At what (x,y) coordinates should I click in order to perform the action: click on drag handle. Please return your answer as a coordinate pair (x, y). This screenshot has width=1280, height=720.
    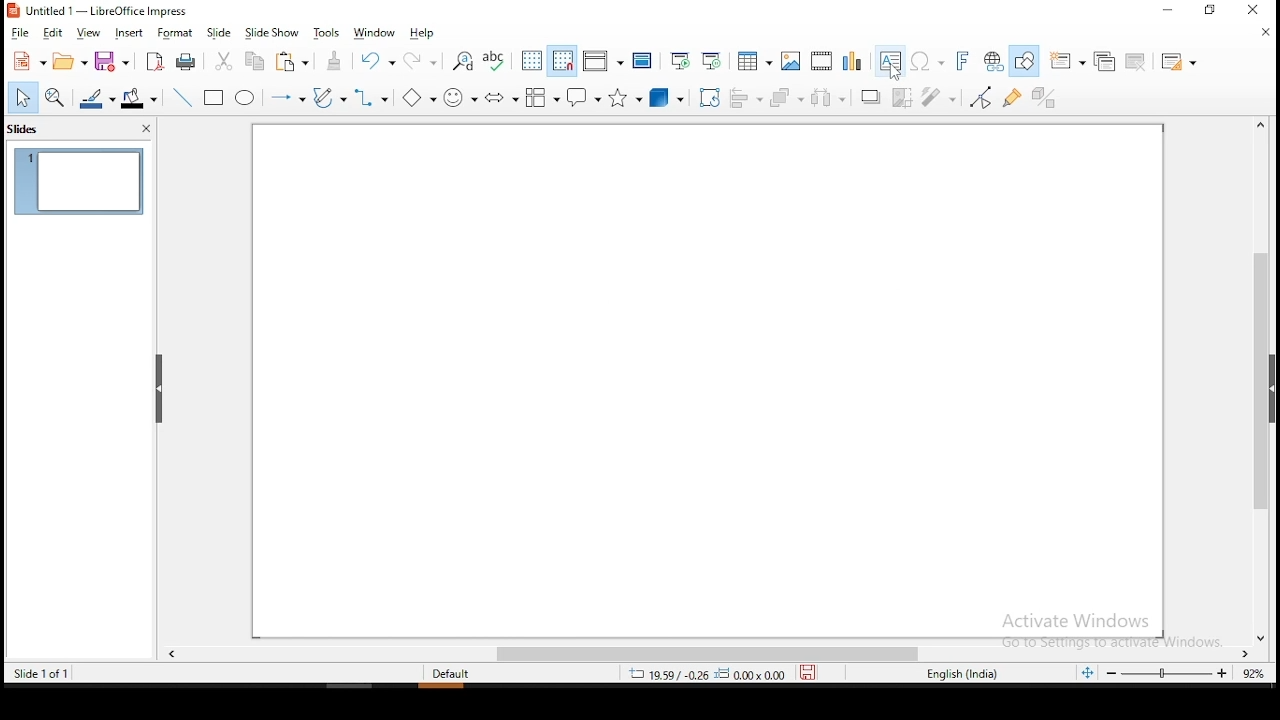
    Looking at the image, I should click on (162, 391).